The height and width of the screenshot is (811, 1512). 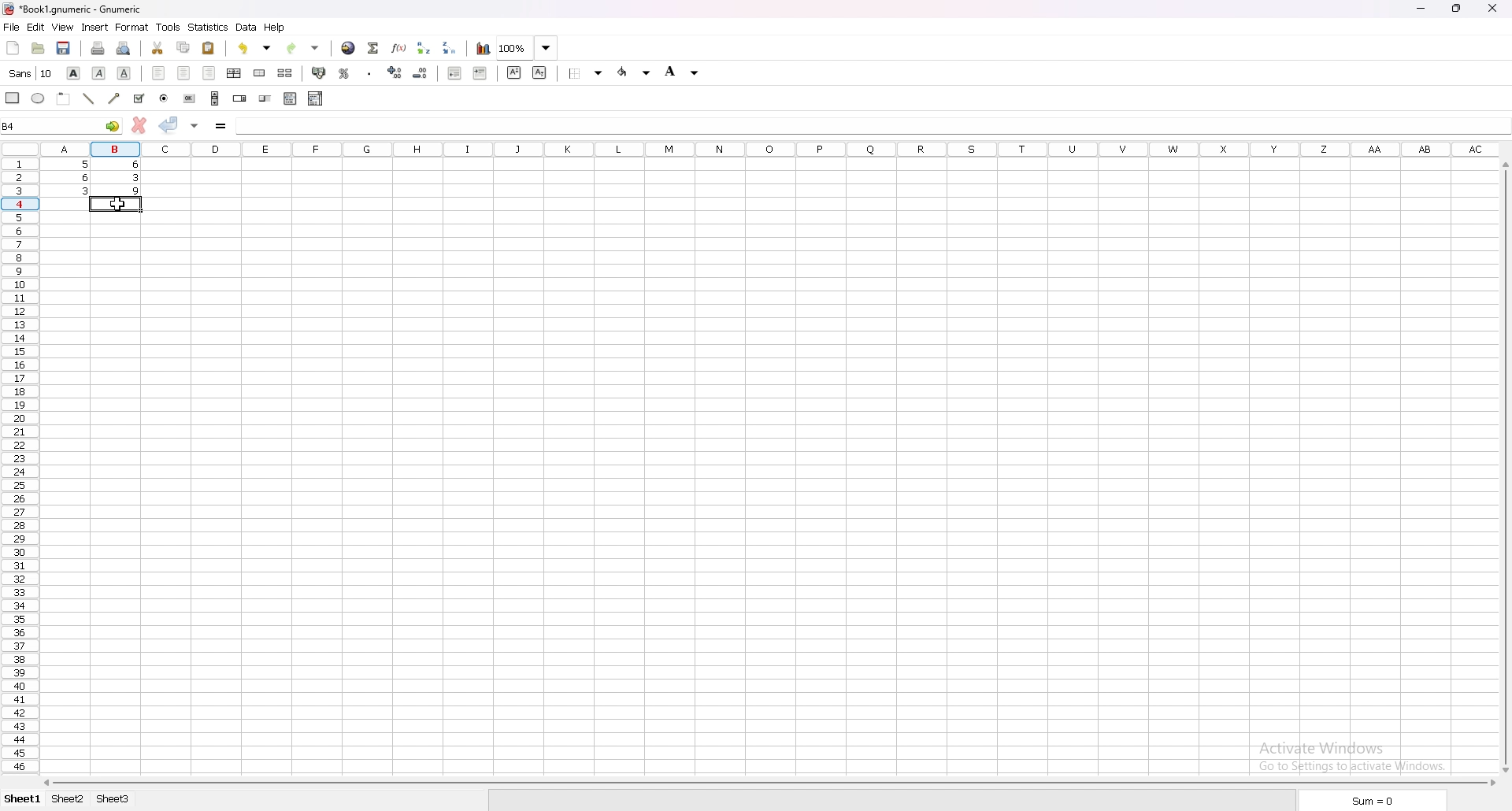 I want to click on sheet, so click(x=69, y=799).